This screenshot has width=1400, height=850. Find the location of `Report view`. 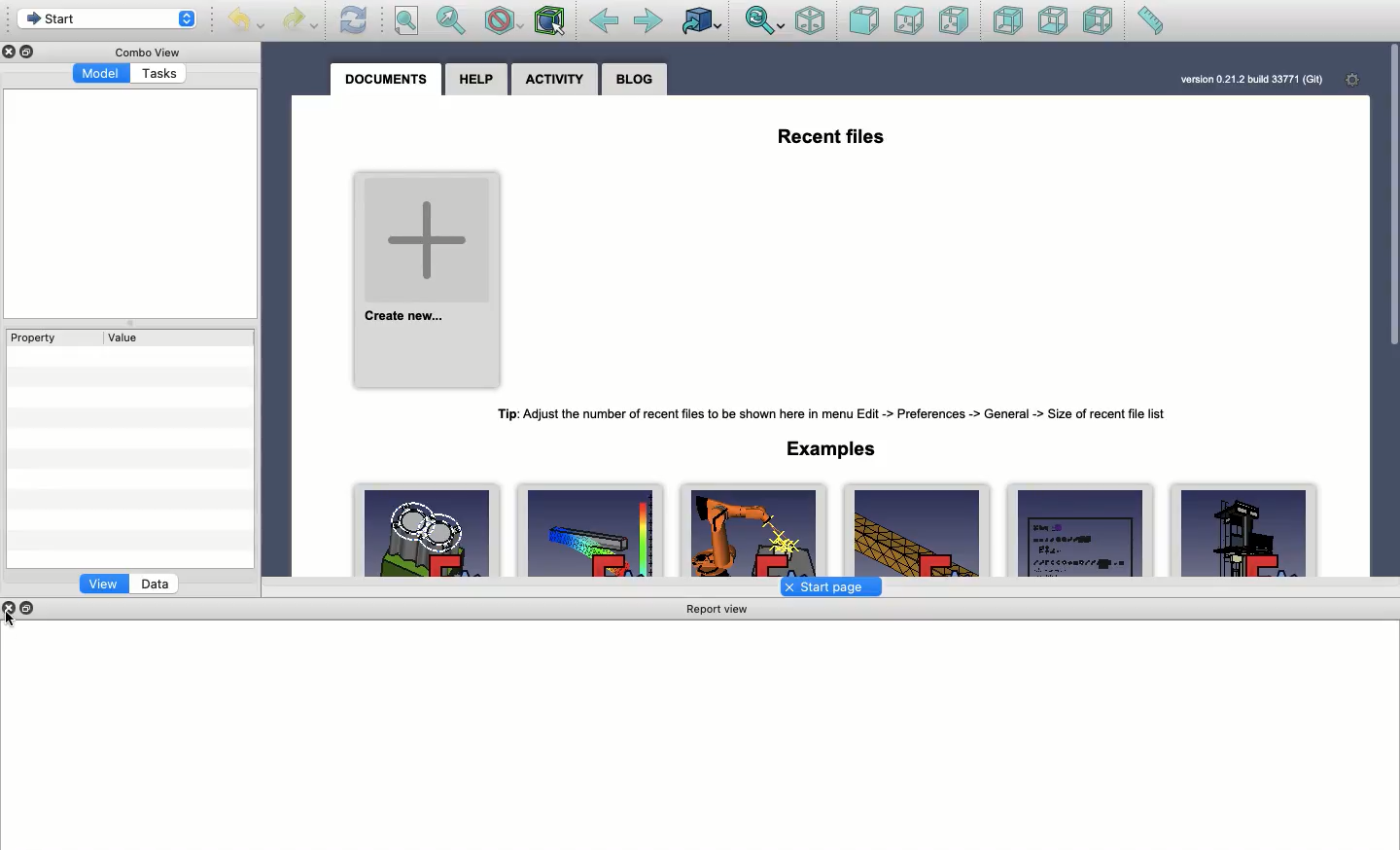

Report view is located at coordinates (717, 610).